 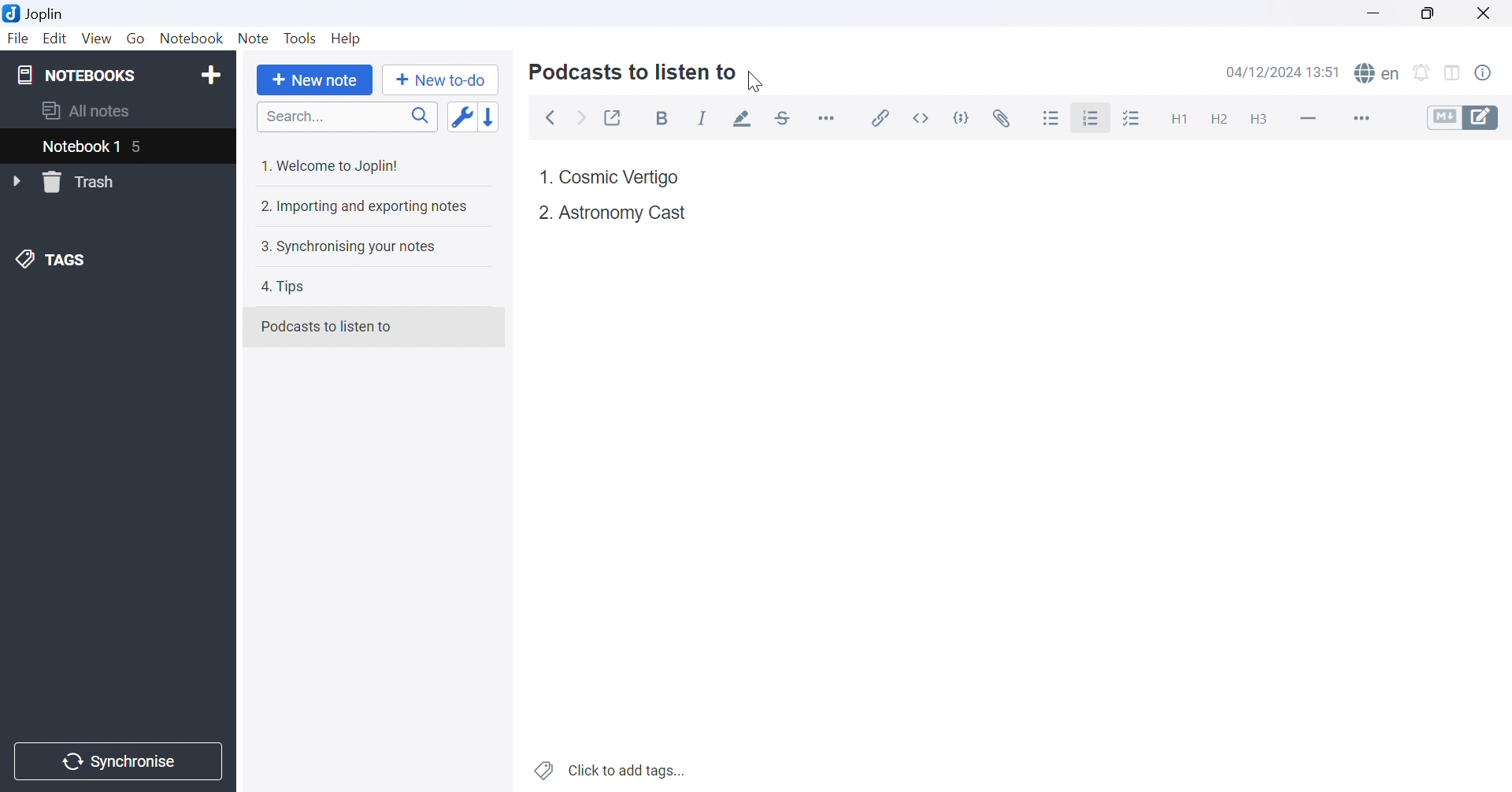 I want to click on Trash, so click(x=88, y=182).